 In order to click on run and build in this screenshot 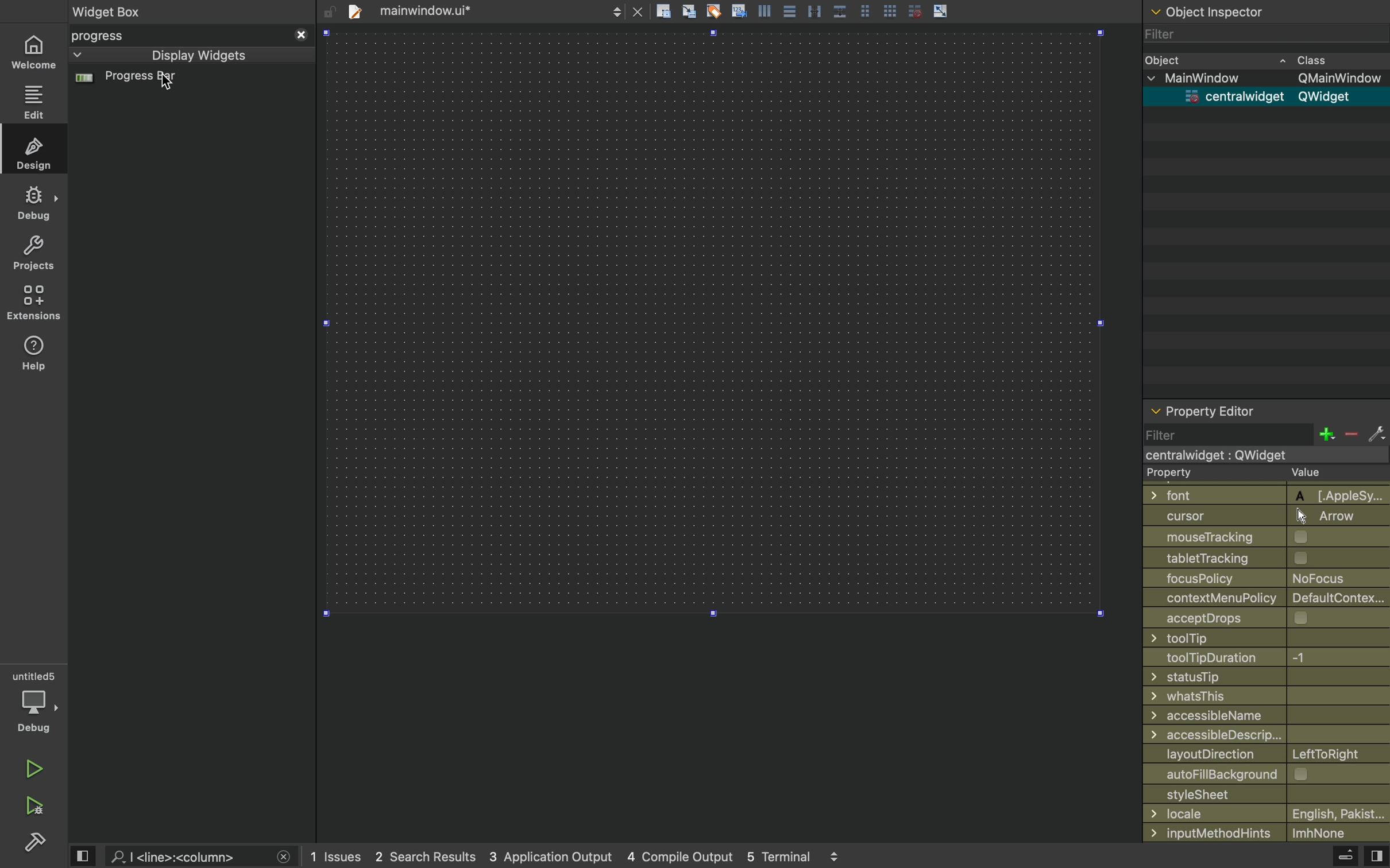, I will do `click(33, 806)`.